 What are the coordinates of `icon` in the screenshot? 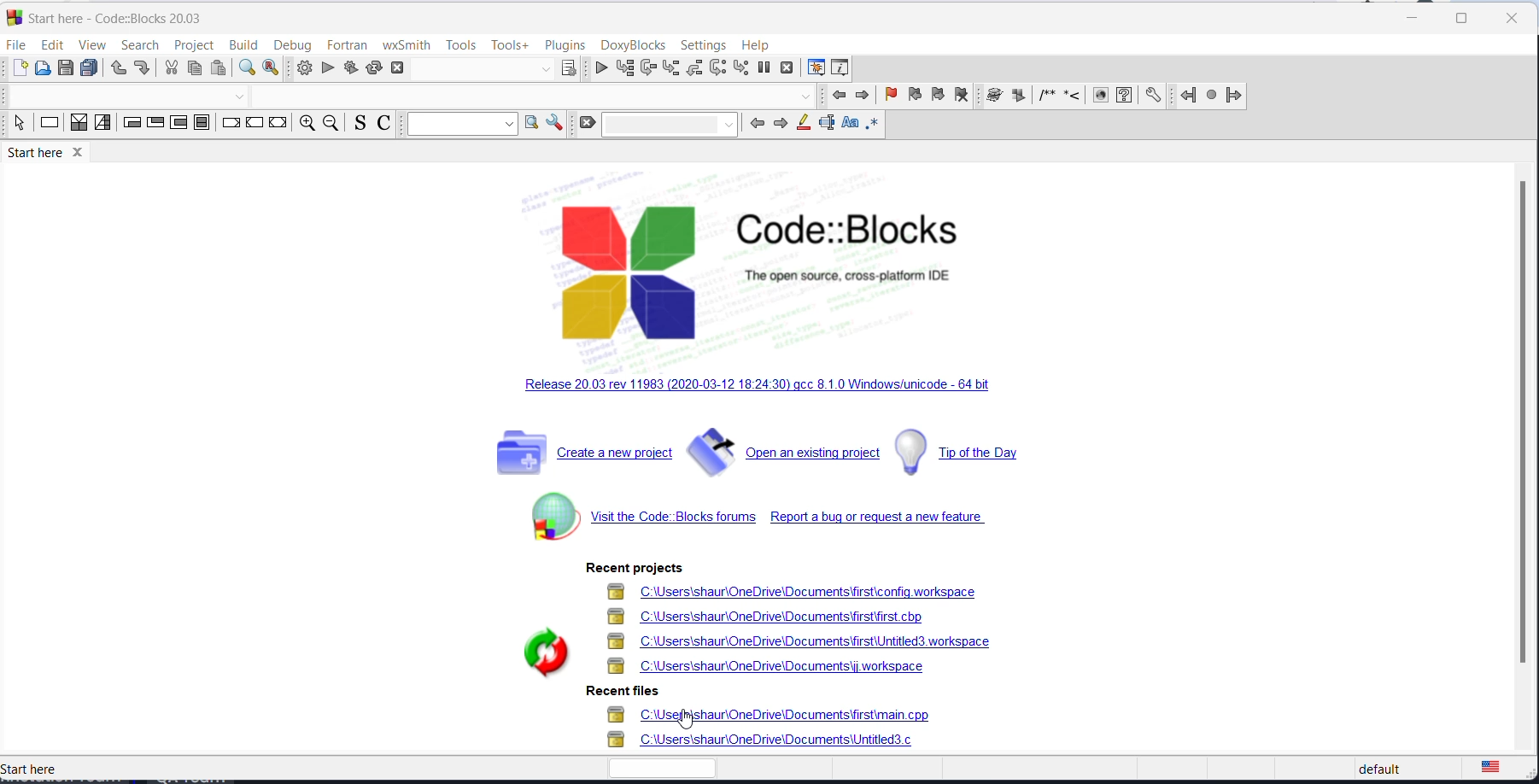 It's located at (1017, 97).